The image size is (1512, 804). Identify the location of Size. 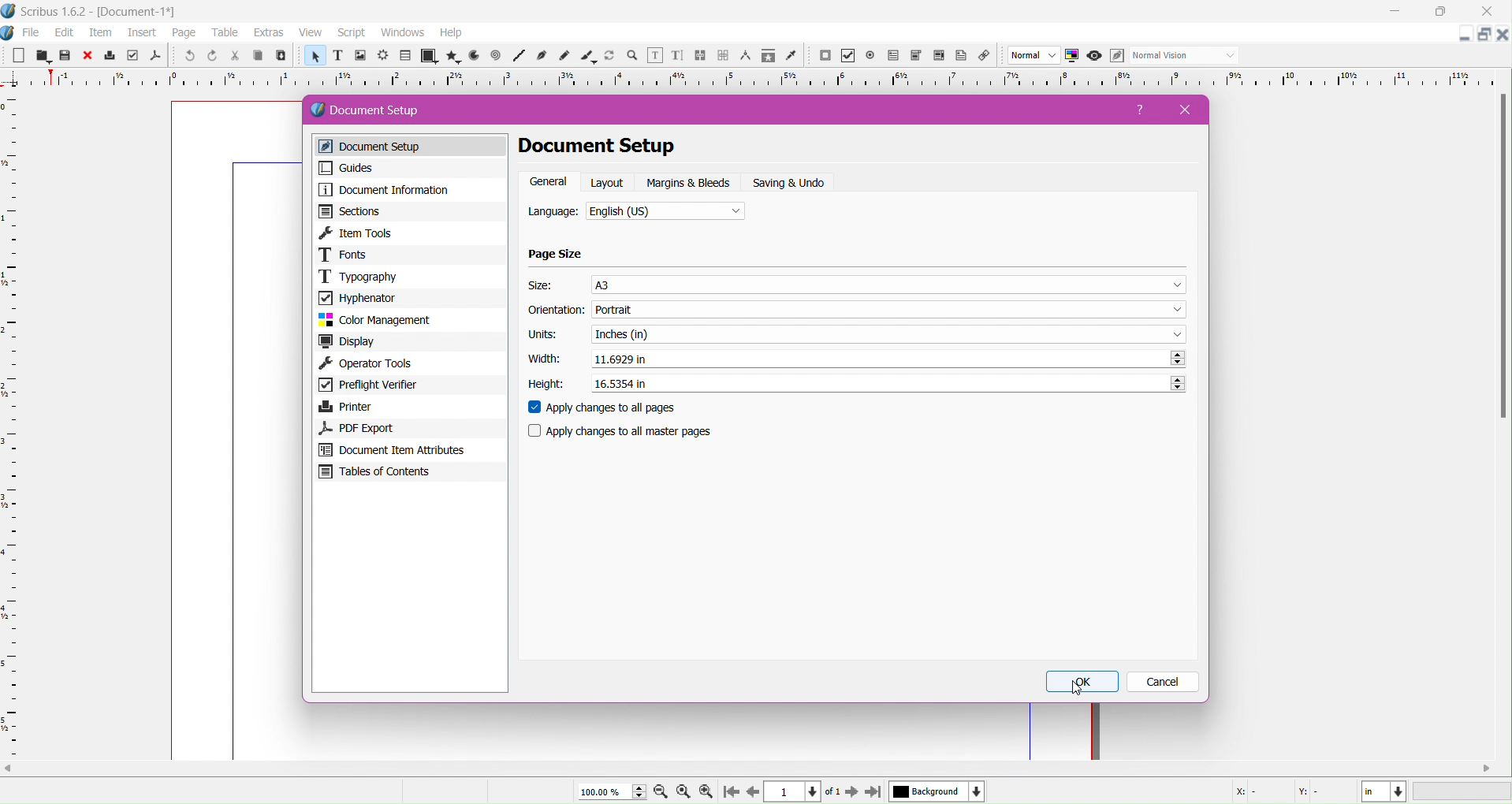
(543, 285).